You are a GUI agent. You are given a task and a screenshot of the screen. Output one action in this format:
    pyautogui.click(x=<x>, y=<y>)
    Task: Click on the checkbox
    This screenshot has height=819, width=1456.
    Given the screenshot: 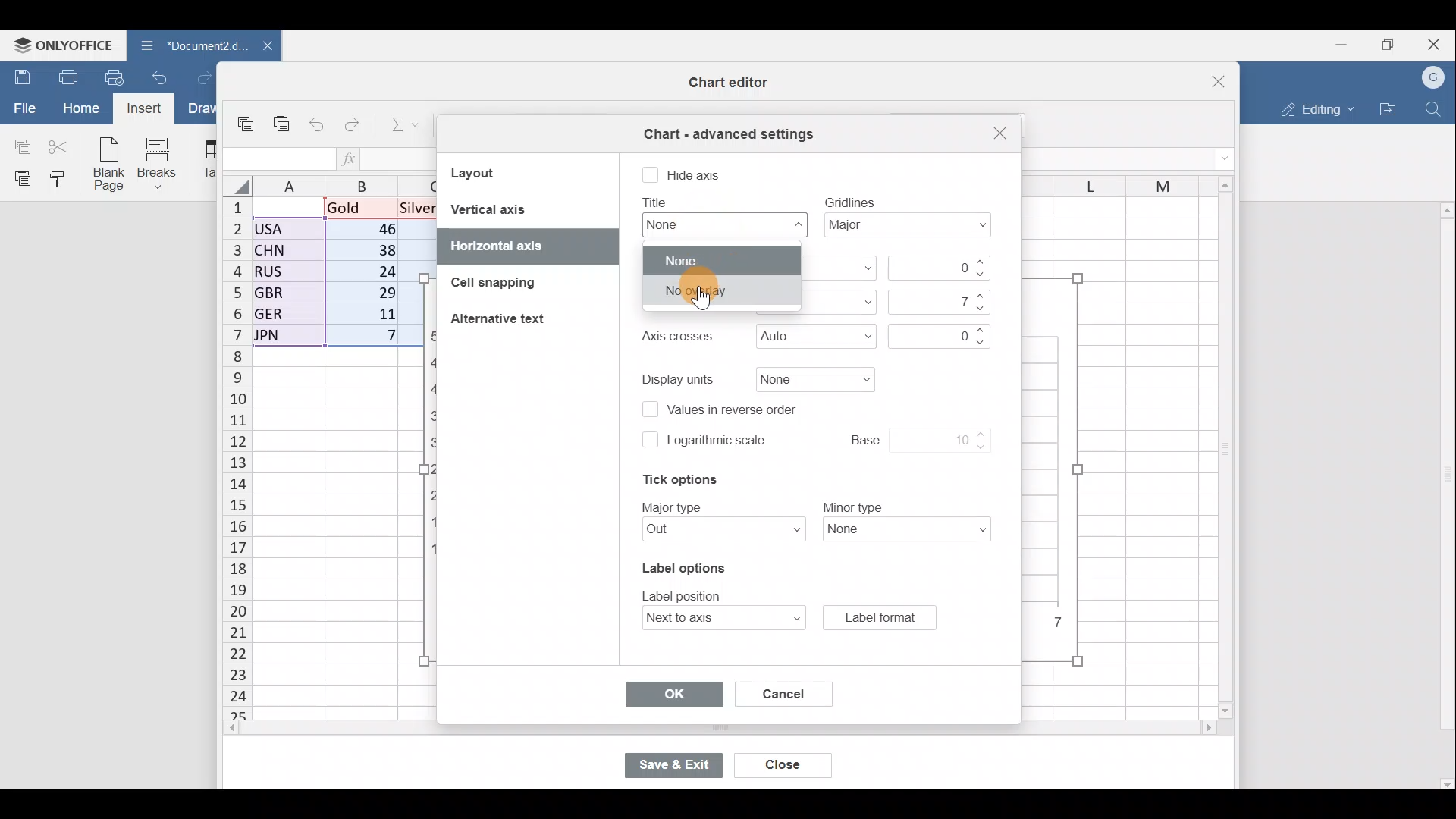 What is the action you would take?
    pyautogui.click(x=650, y=176)
    